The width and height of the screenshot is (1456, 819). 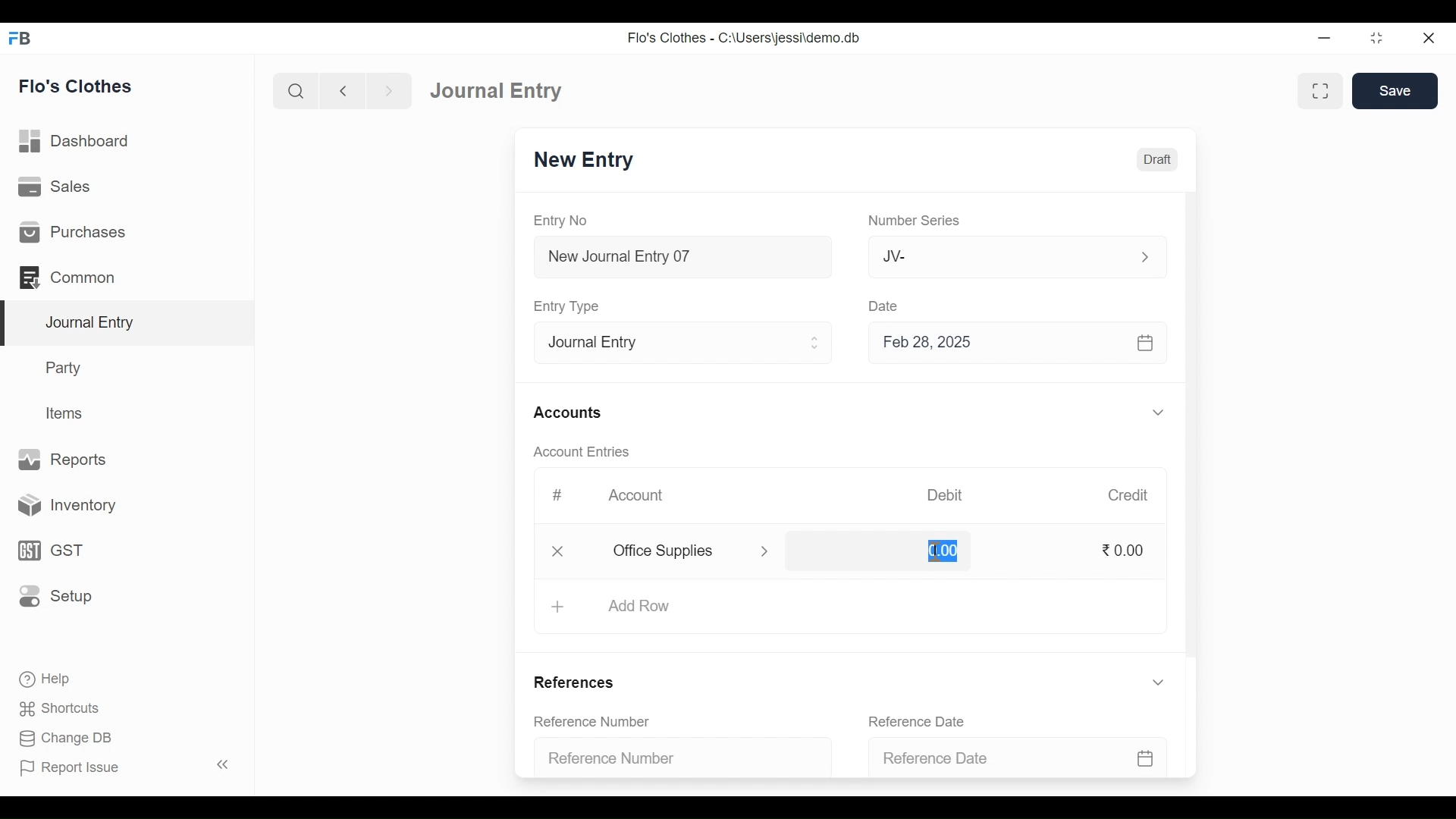 I want to click on Journal Entry, so click(x=130, y=324).